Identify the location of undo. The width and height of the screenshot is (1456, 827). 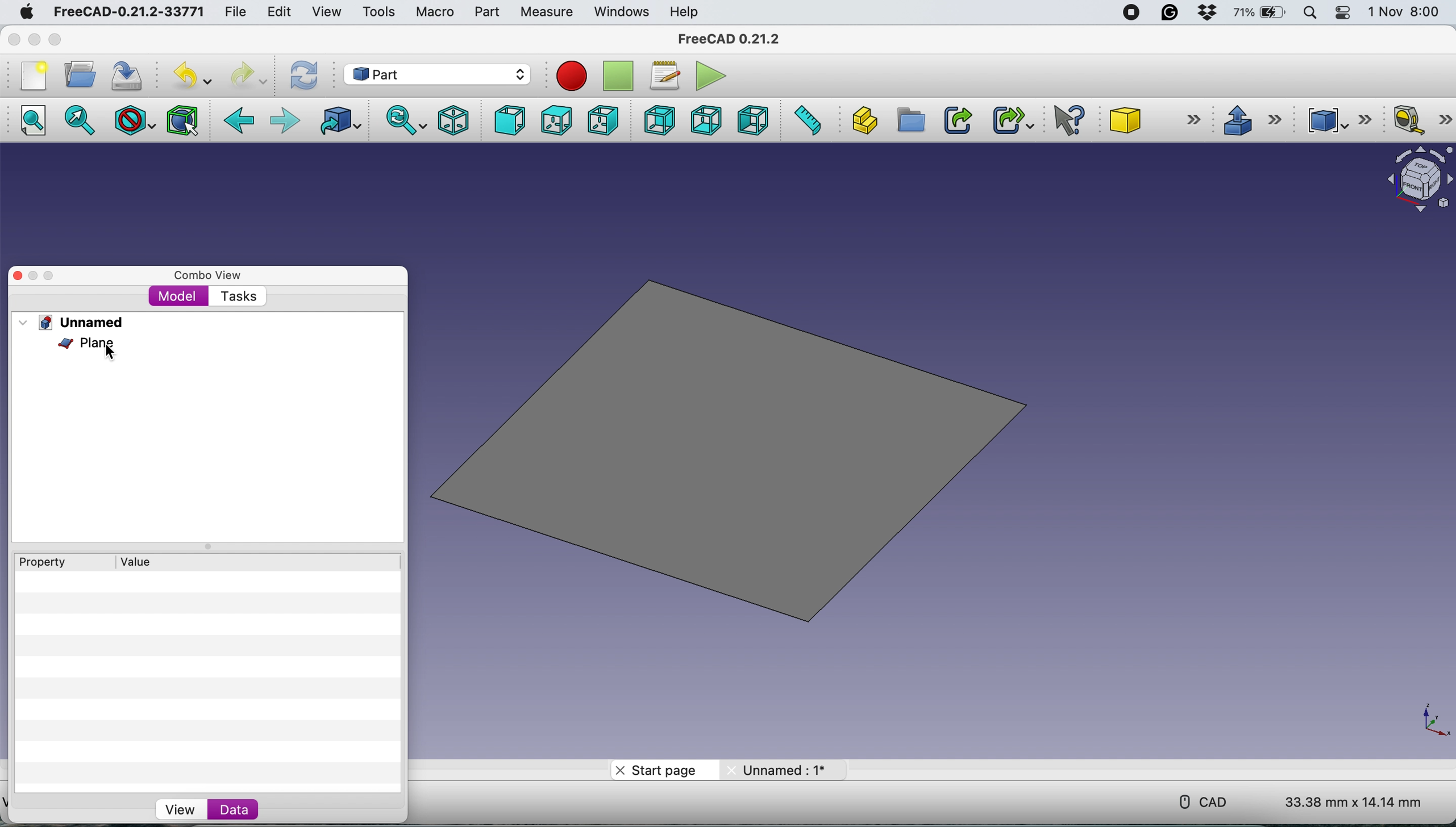
(193, 76).